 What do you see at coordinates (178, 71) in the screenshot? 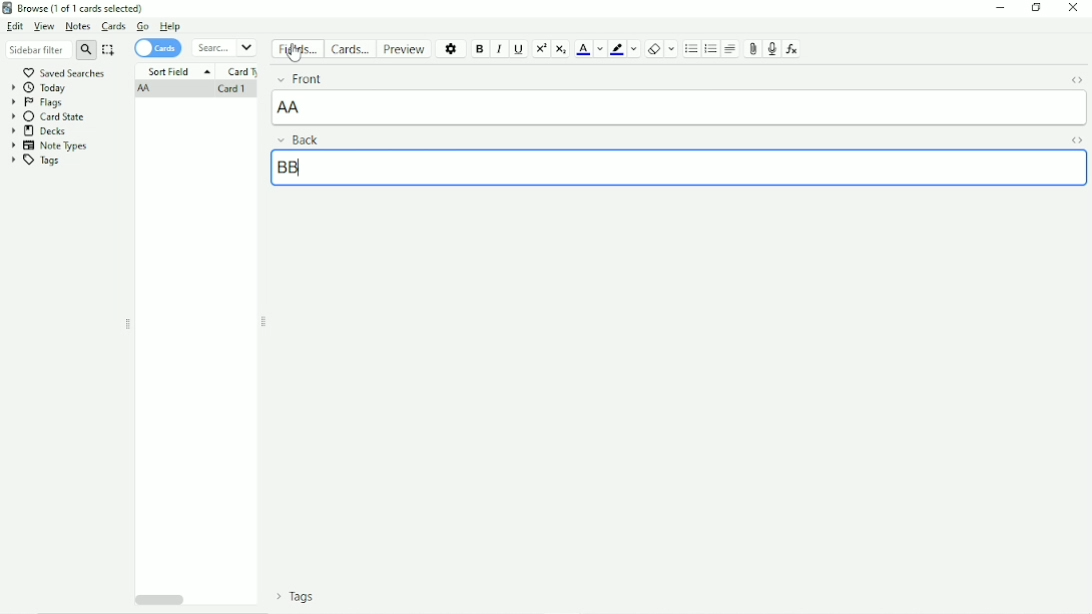
I see `Sort Field` at bounding box center [178, 71].